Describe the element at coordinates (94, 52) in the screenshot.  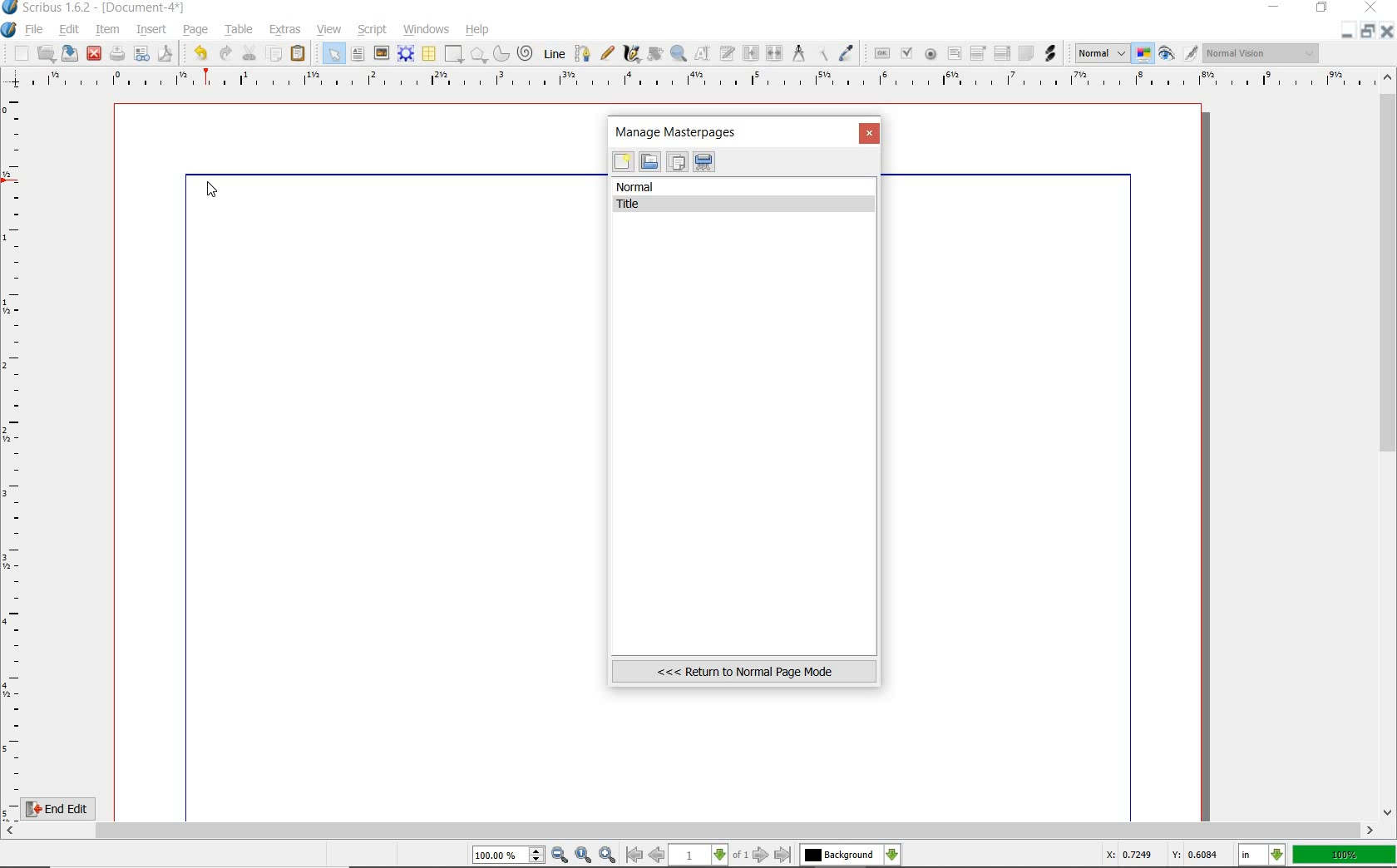
I see `close` at that location.